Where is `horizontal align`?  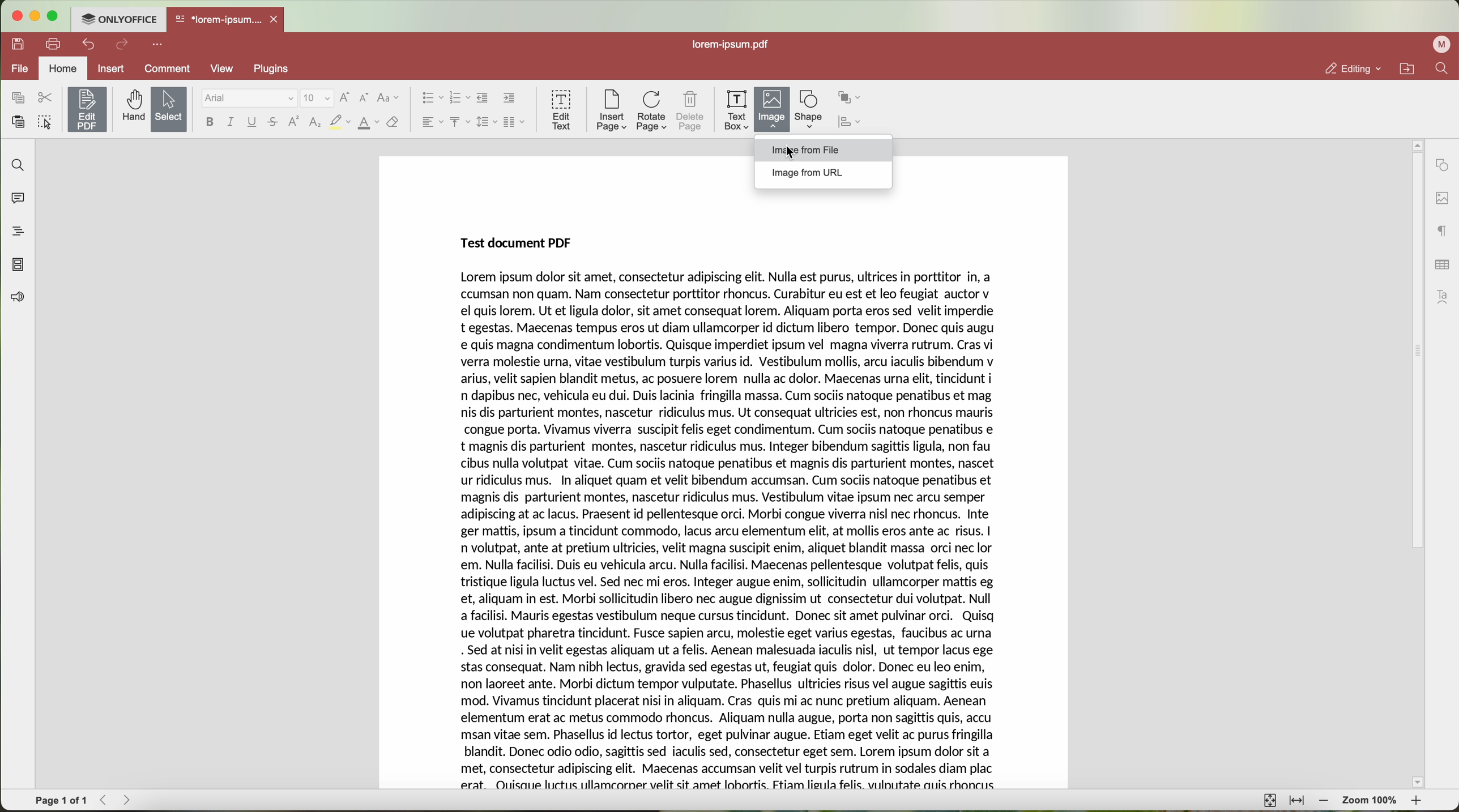
horizontal align is located at coordinates (431, 122).